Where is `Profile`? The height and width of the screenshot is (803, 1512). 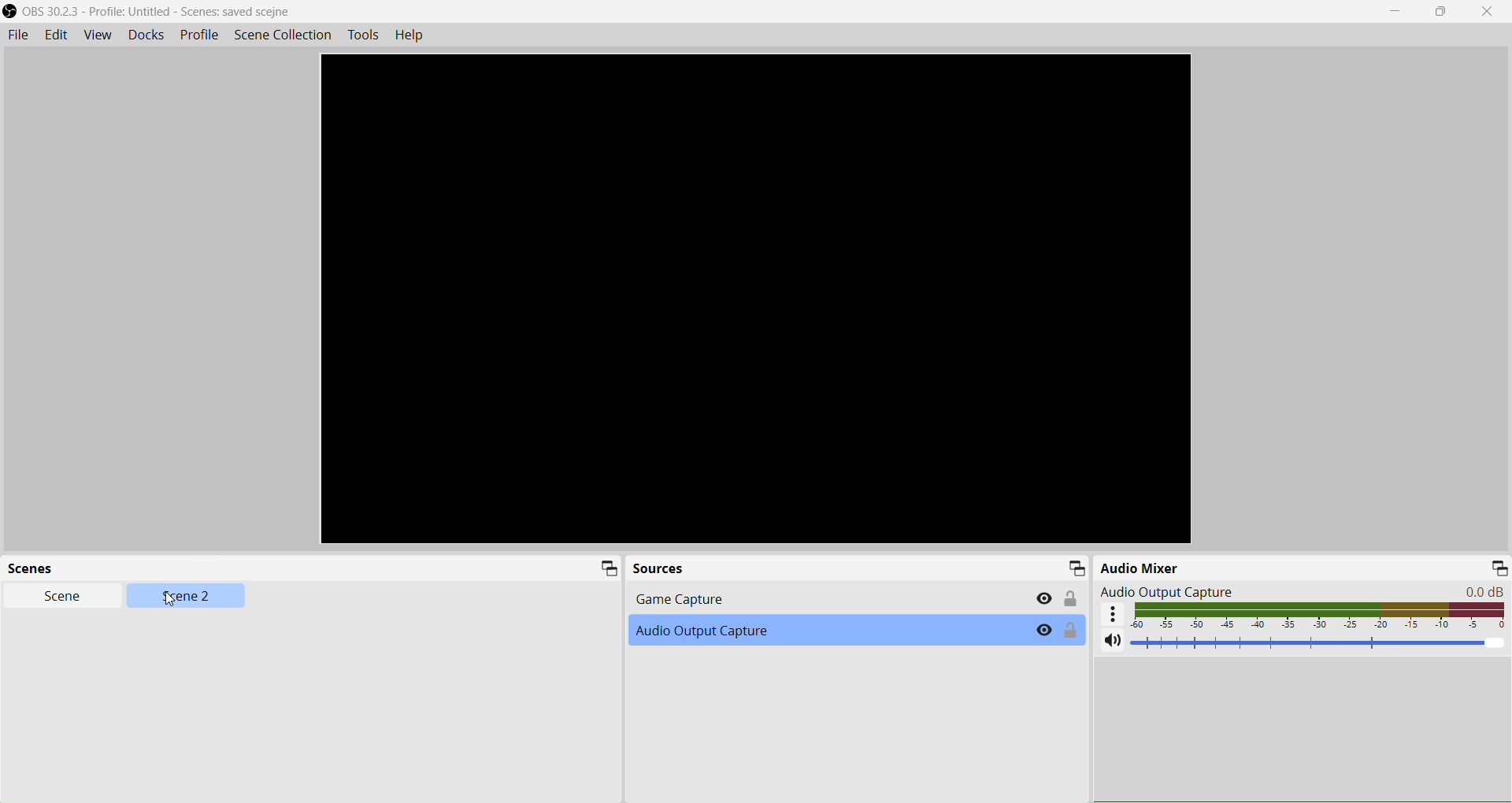
Profile is located at coordinates (199, 35).